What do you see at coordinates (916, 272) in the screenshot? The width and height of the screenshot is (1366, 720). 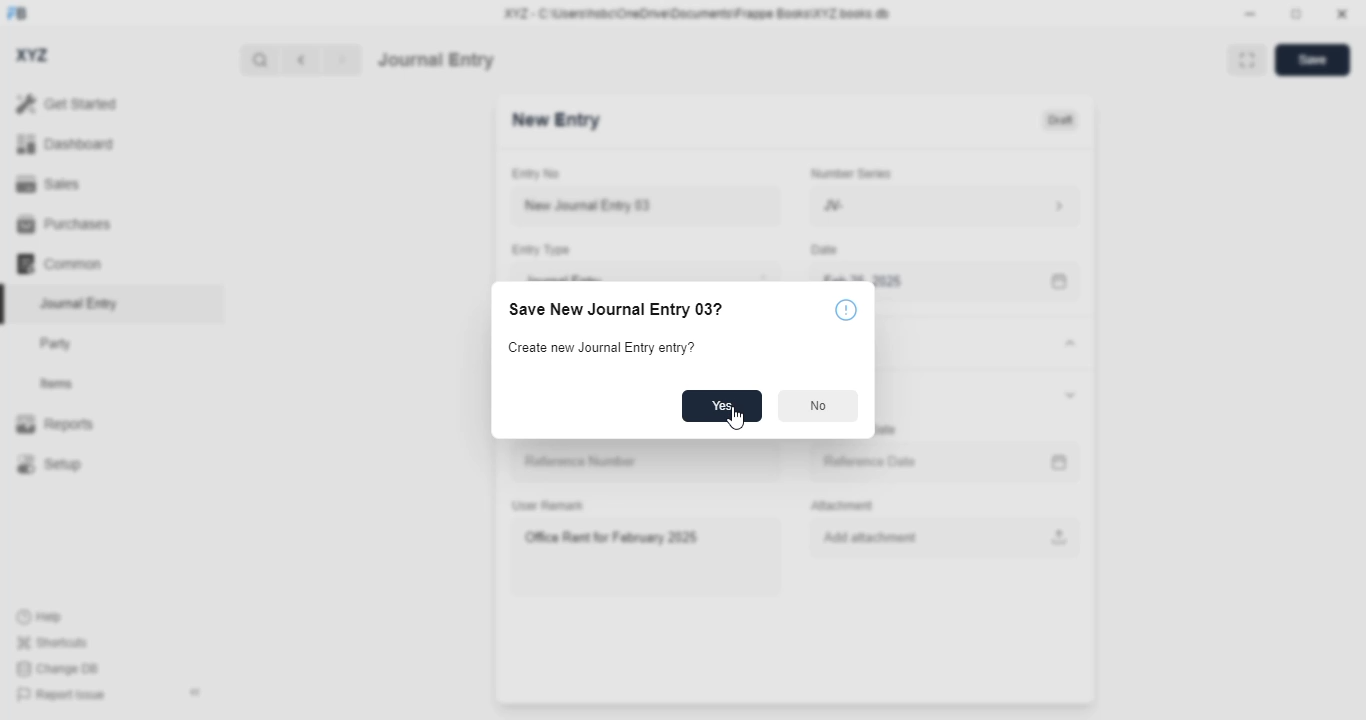 I see `feb 25, 2025` at bounding box center [916, 272].